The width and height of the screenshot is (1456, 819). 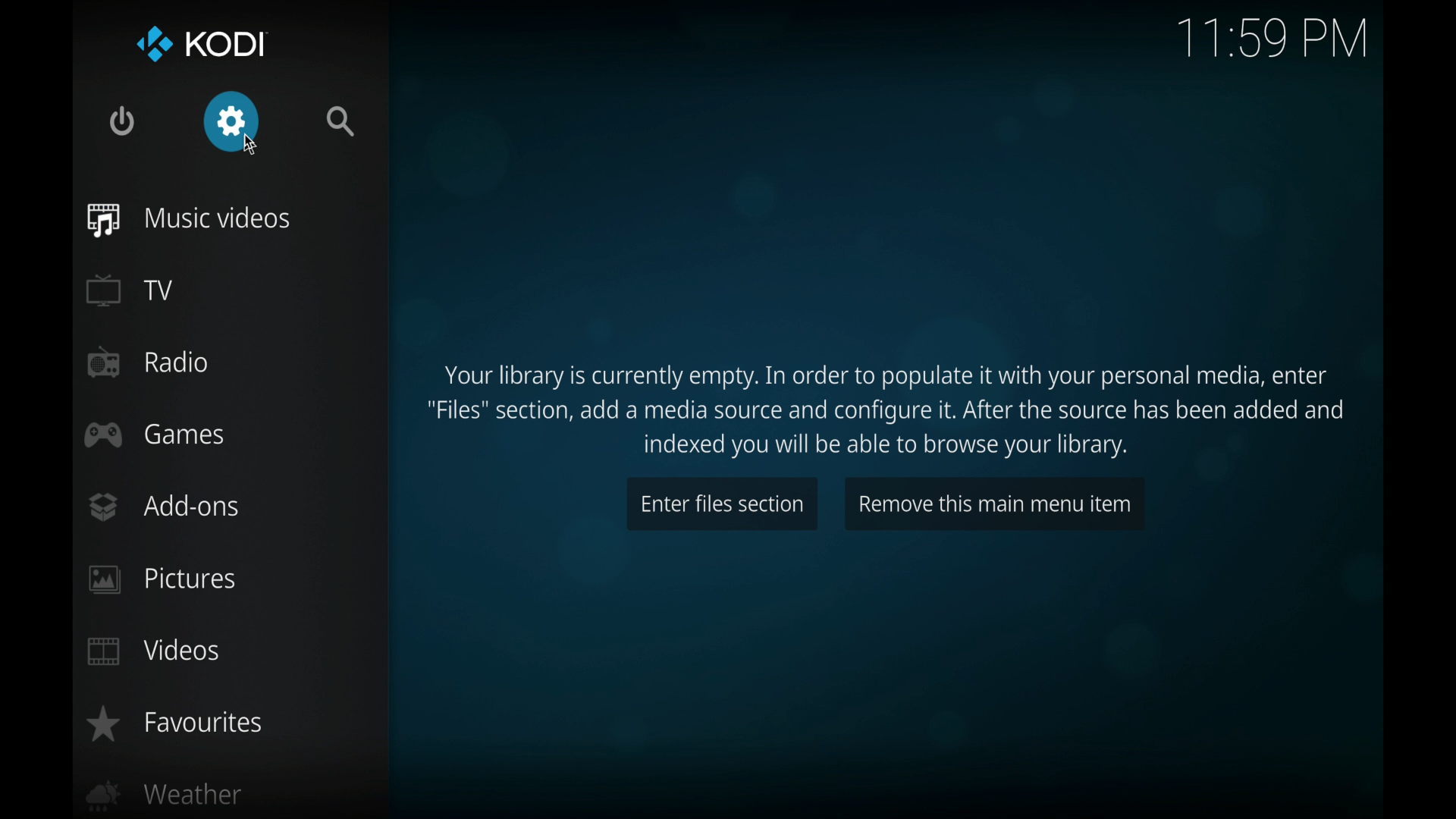 What do you see at coordinates (163, 507) in the screenshot?
I see `add-ons` at bounding box center [163, 507].